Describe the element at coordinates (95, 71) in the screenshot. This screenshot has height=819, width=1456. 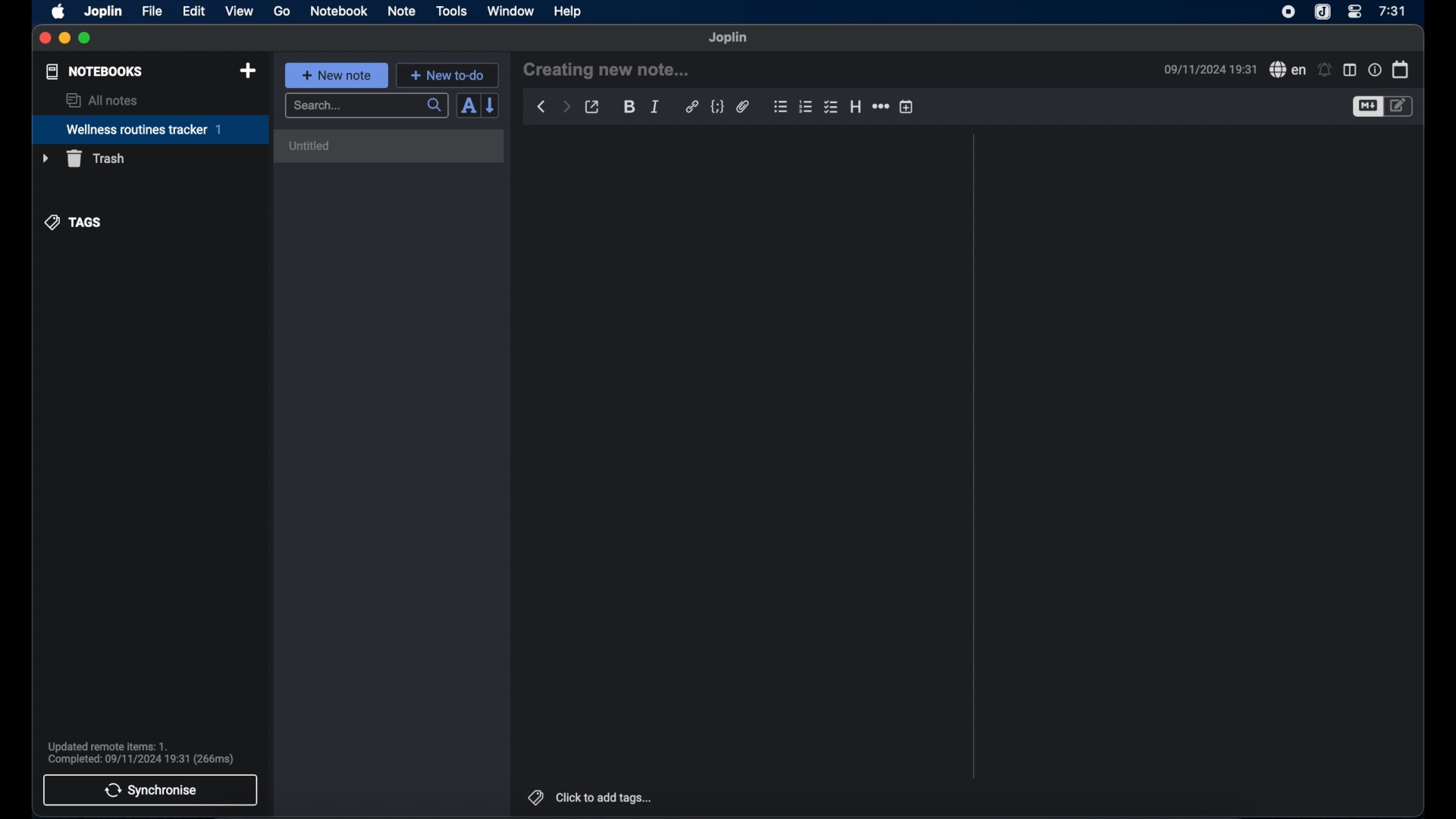
I see `notebooks` at that location.